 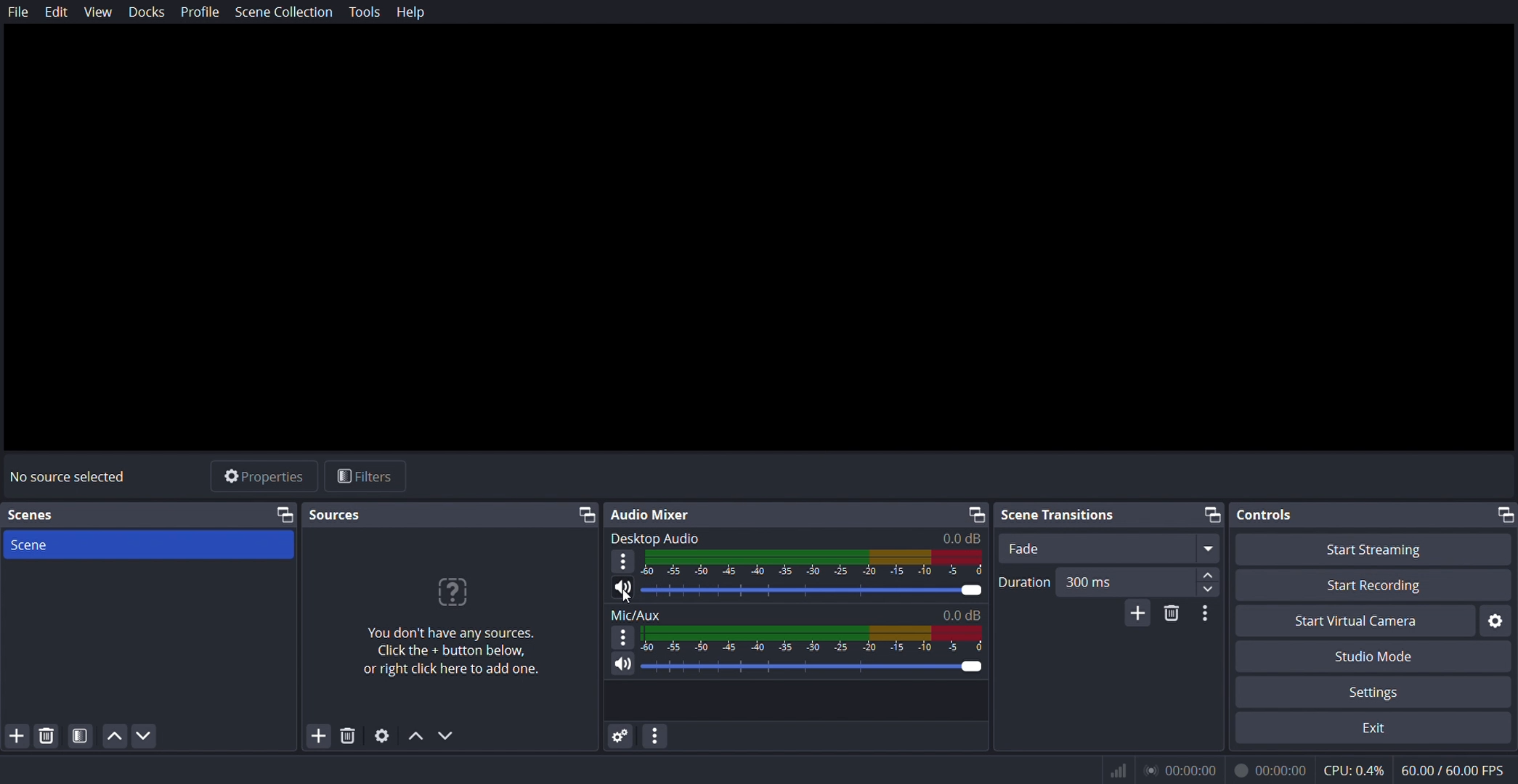 What do you see at coordinates (101, 12) in the screenshot?
I see `view` at bounding box center [101, 12].